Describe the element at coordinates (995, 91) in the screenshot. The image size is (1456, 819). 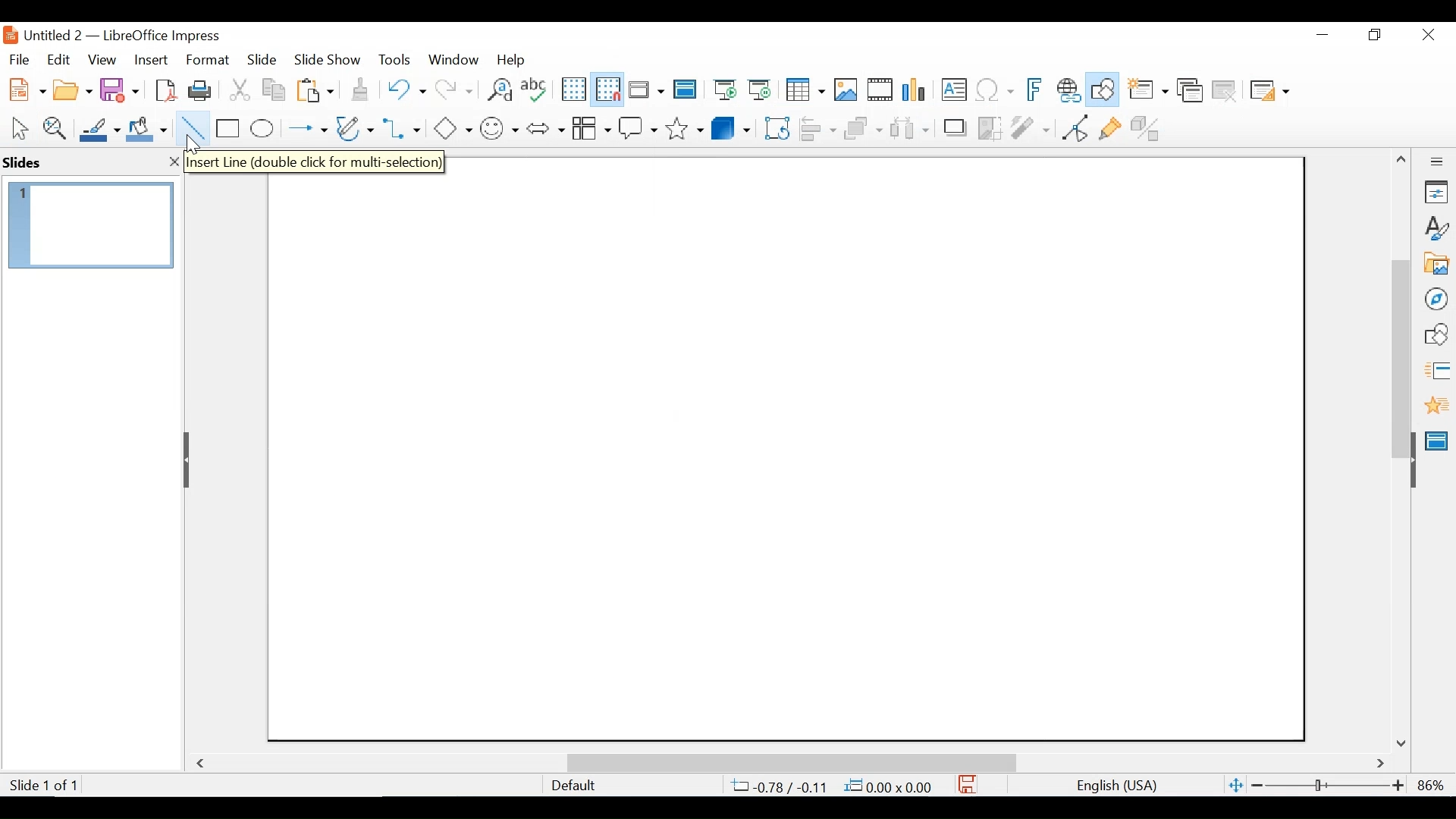
I see `Insert Special Characters` at that location.